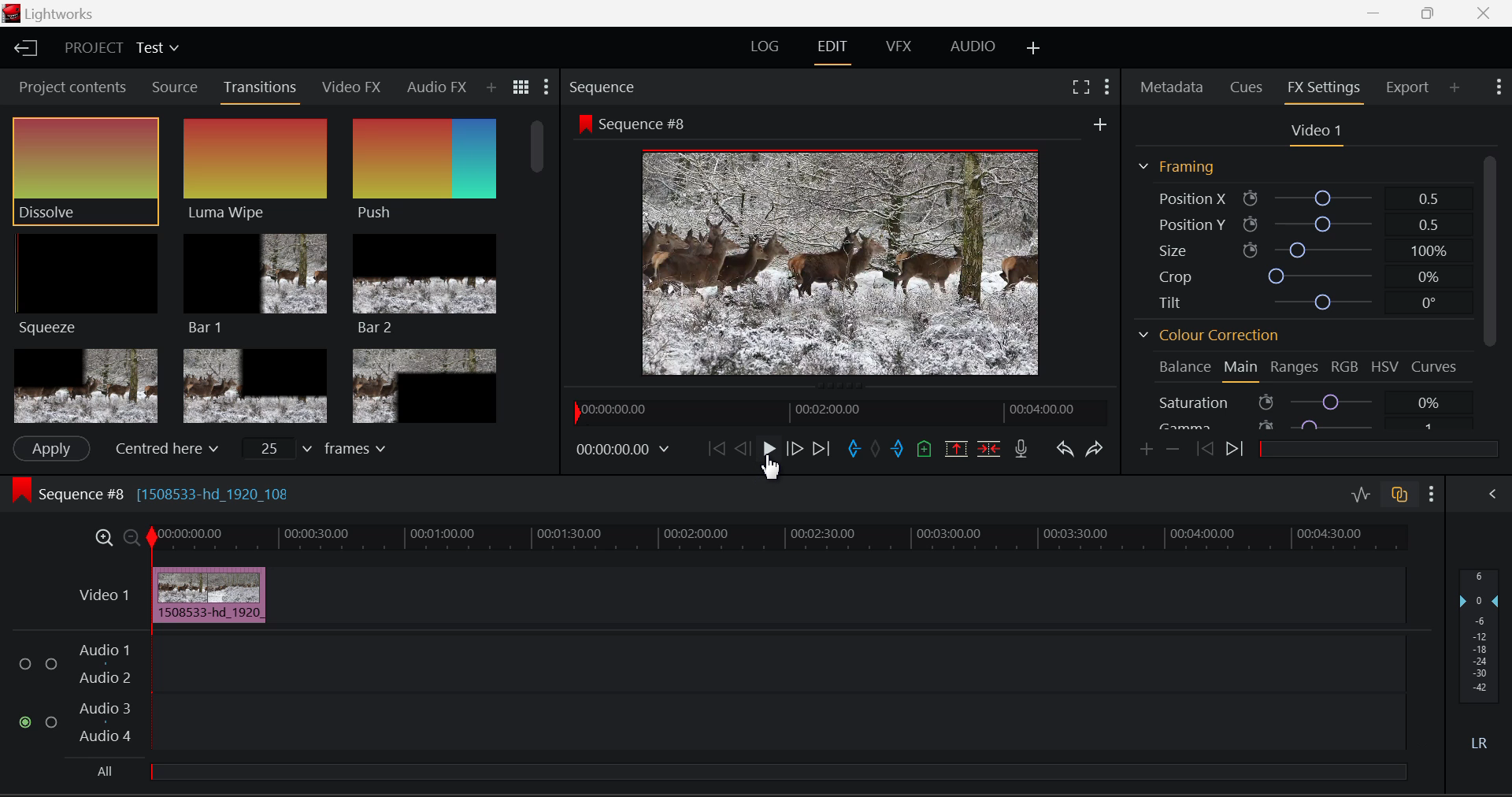  I want to click on EDIT Layout Open, so click(832, 50).